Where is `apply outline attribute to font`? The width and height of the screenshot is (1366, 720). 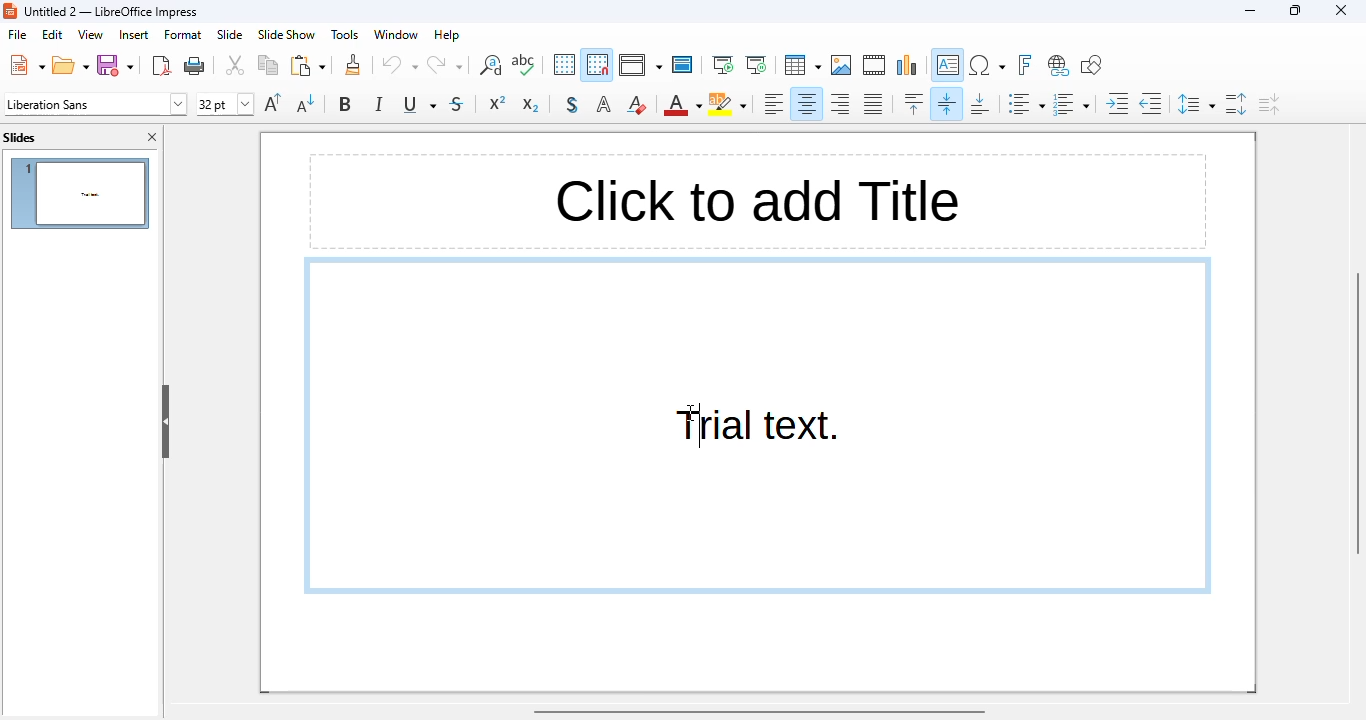 apply outline attribute to font is located at coordinates (604, 104).